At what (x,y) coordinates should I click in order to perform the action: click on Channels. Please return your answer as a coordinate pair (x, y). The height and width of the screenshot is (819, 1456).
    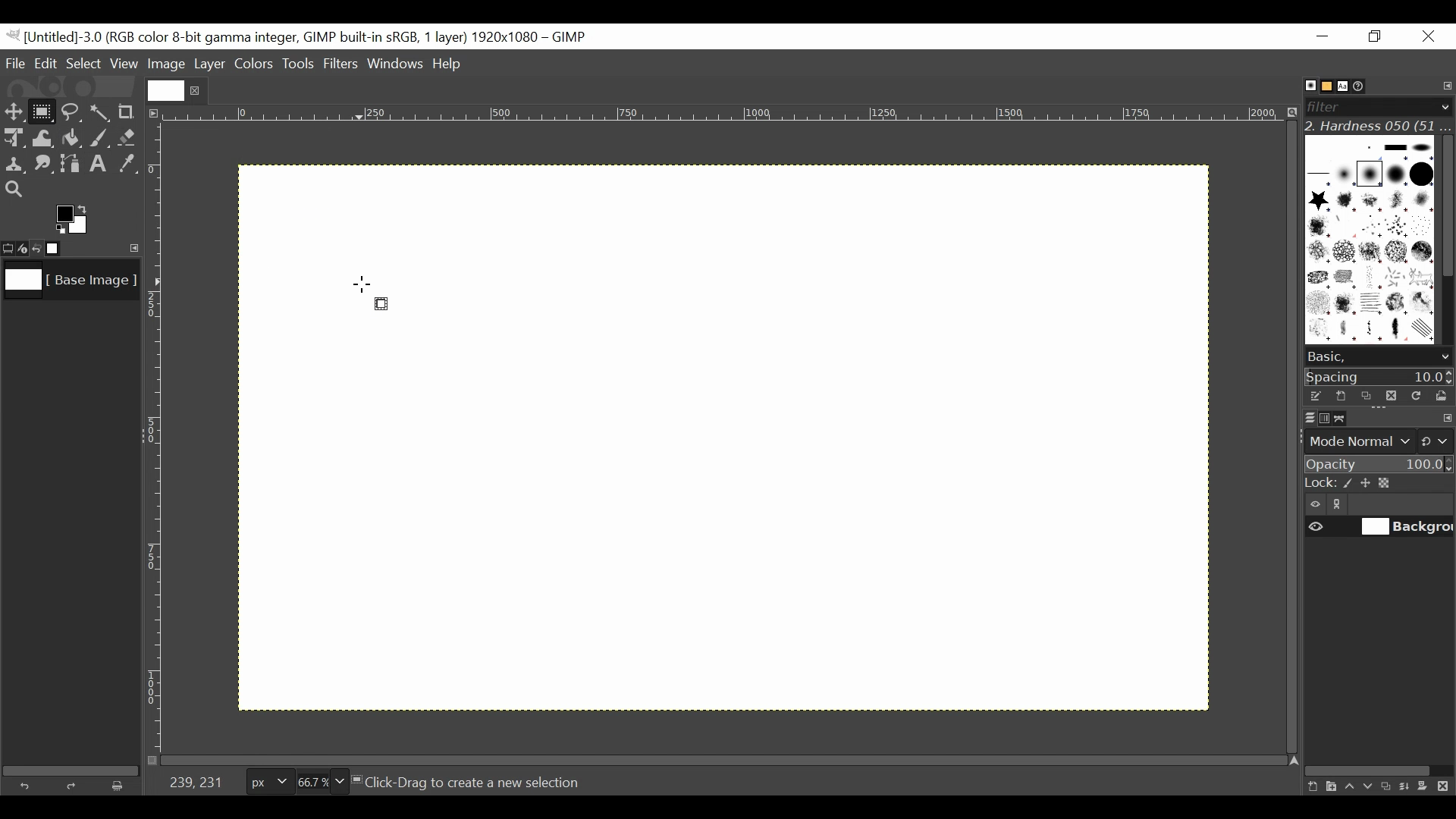
    Looking at the image, I should click on (1321, 417).